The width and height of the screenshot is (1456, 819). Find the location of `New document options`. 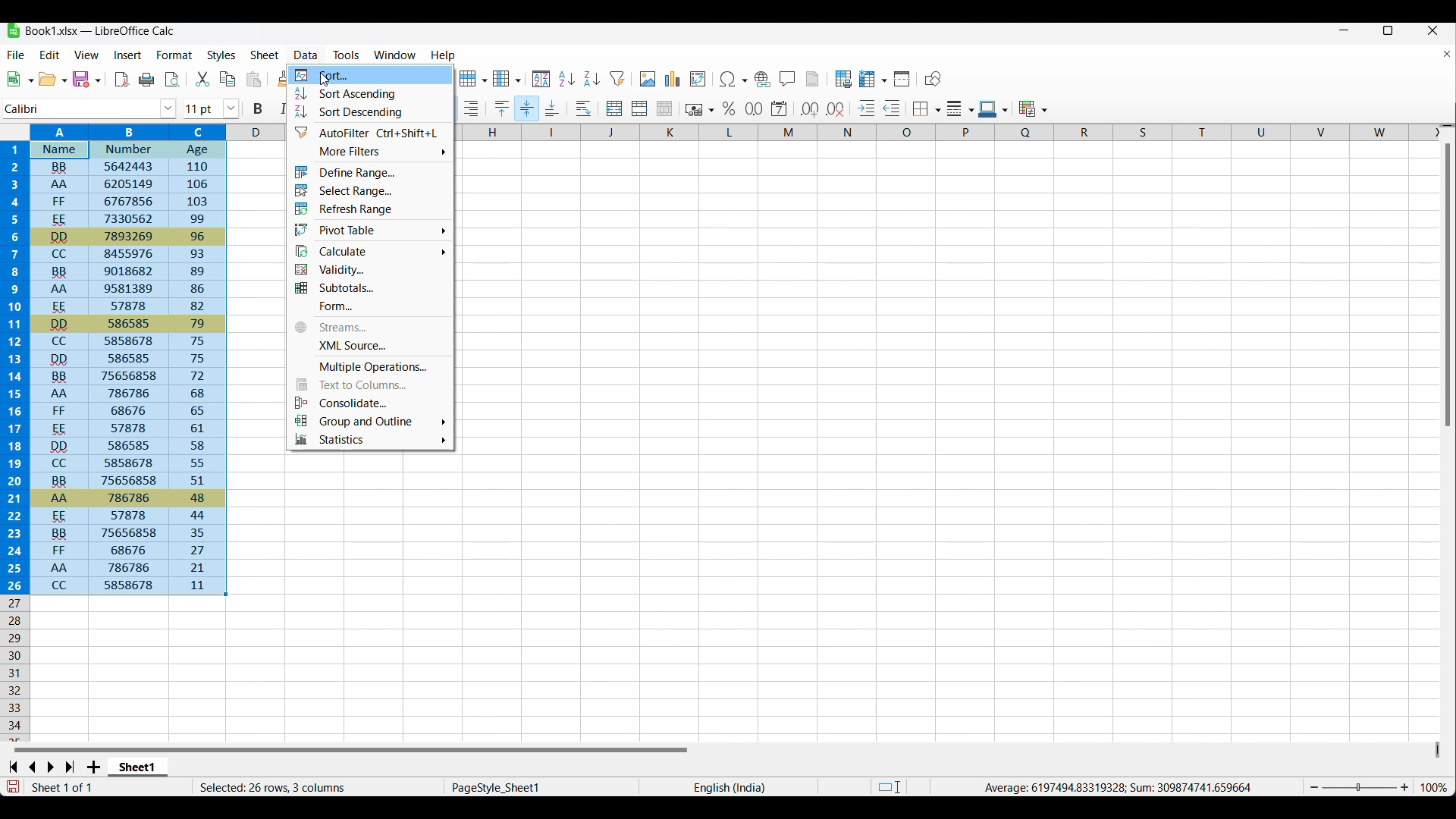

New document options is located at coordinates (20, 79).